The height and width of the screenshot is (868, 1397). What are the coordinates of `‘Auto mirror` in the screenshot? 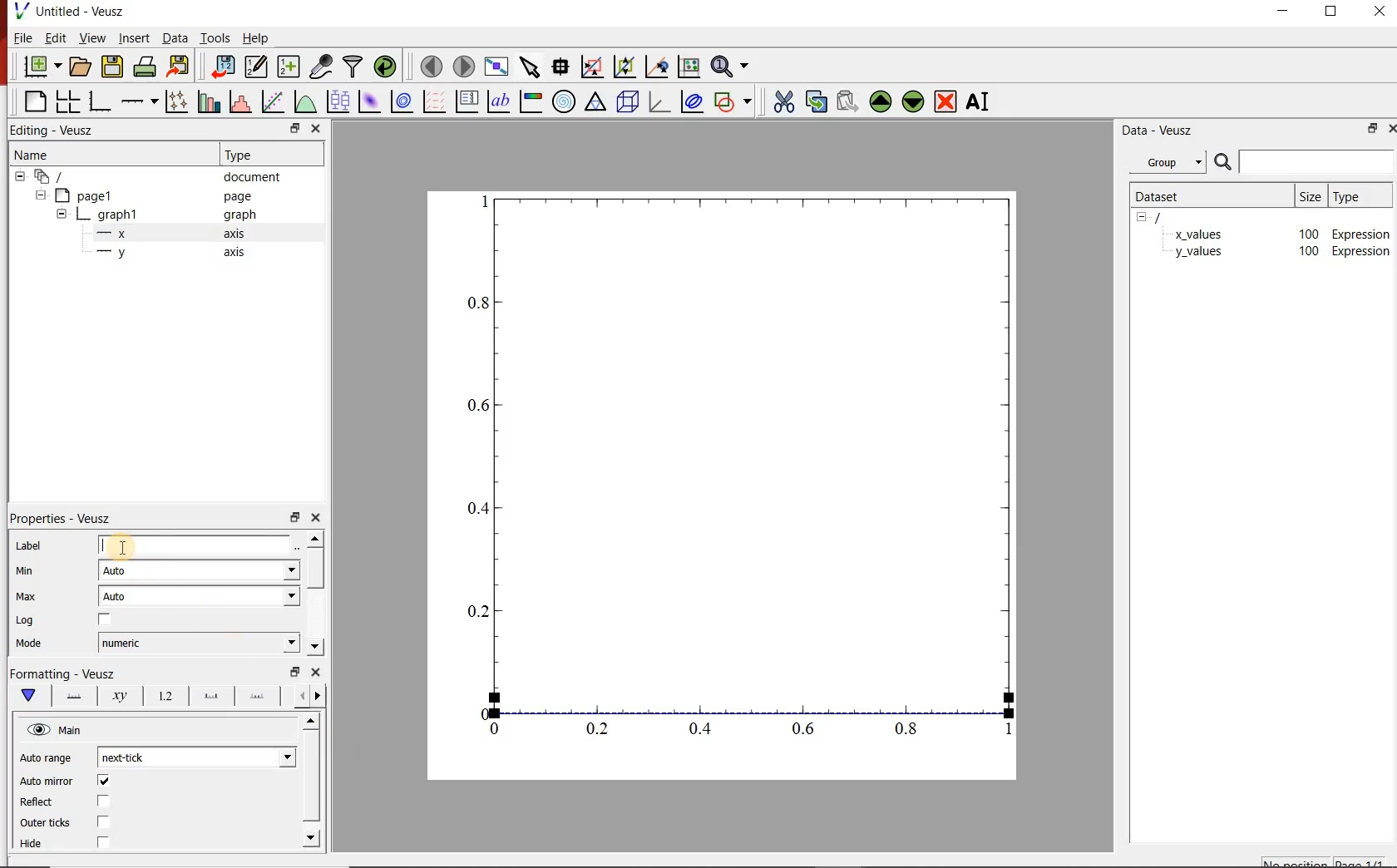 It's located at (48, 780).